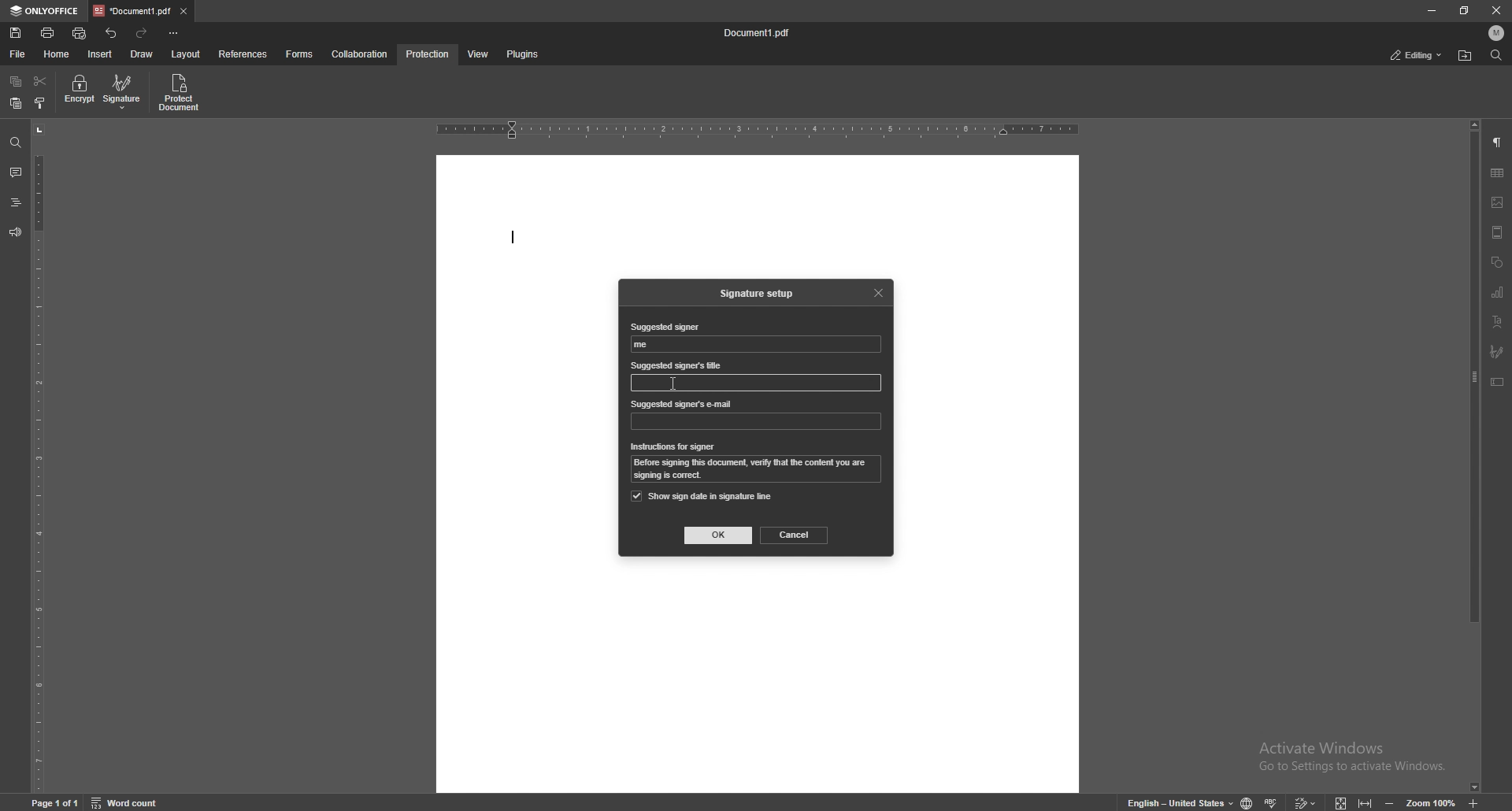  What do you see at coordinates (647, 345) in the screenshot?
I see `suggested signer` at bounding box center [647, 345].